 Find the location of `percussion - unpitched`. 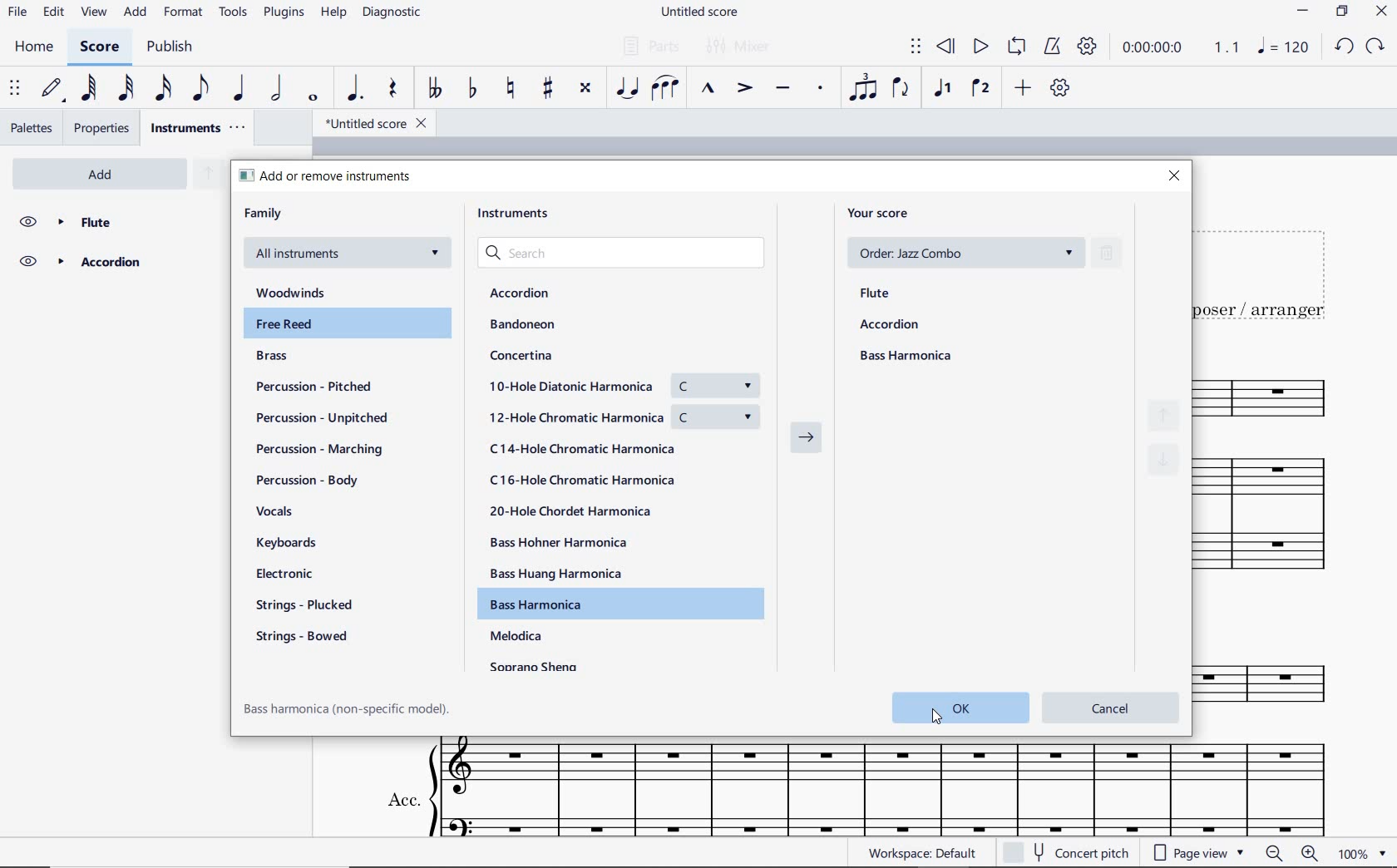

percussion - unpitched is located at coordinates (321, 418).